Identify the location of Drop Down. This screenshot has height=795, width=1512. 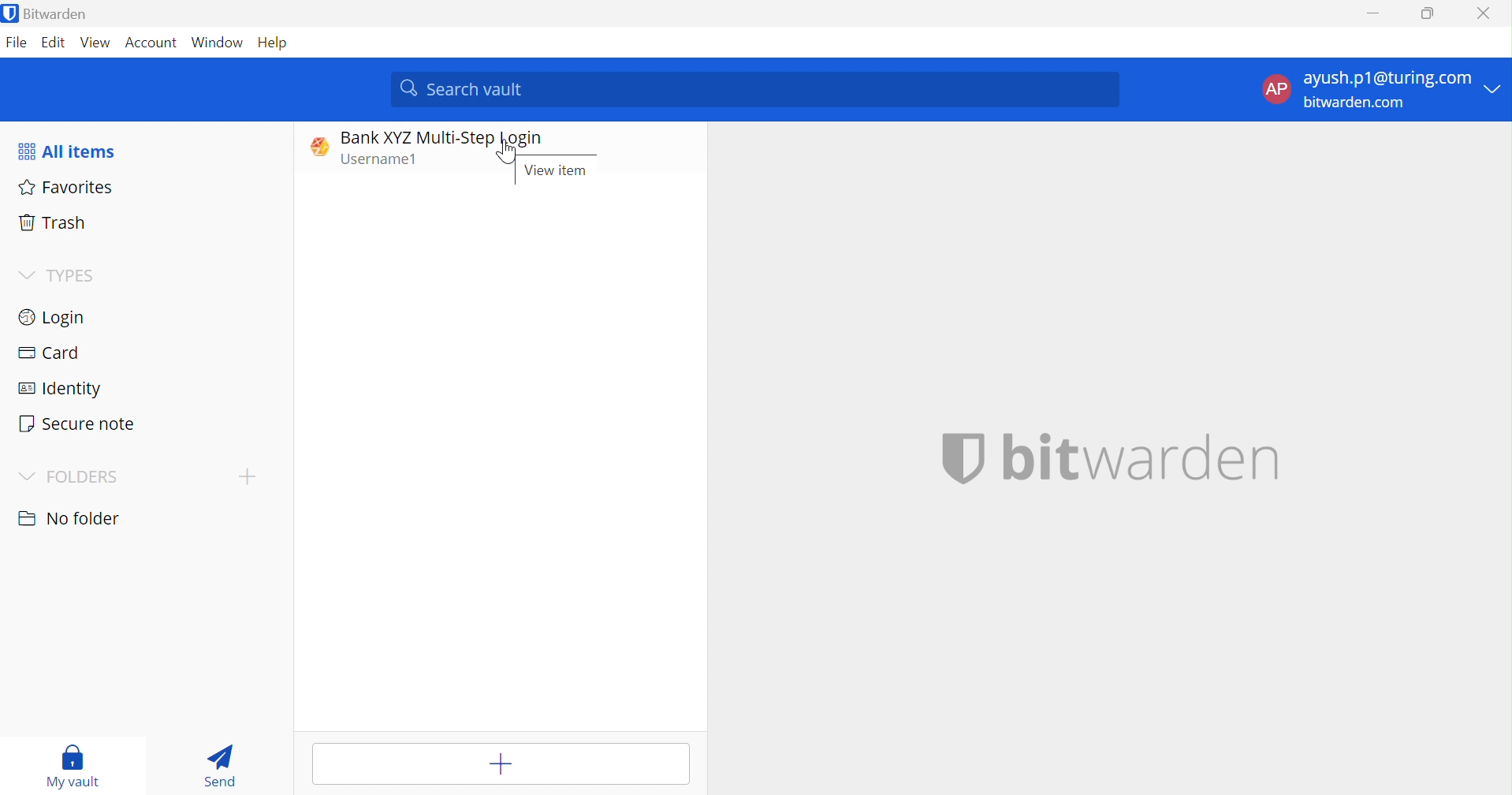
(25, 274).